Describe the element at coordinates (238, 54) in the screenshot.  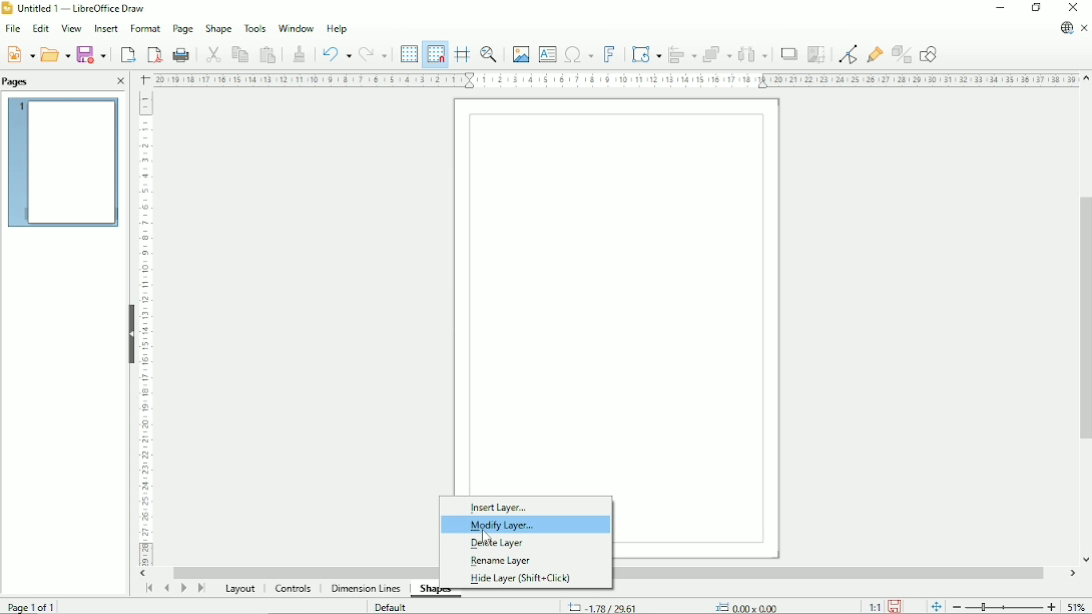
I see `Copy` at that location.